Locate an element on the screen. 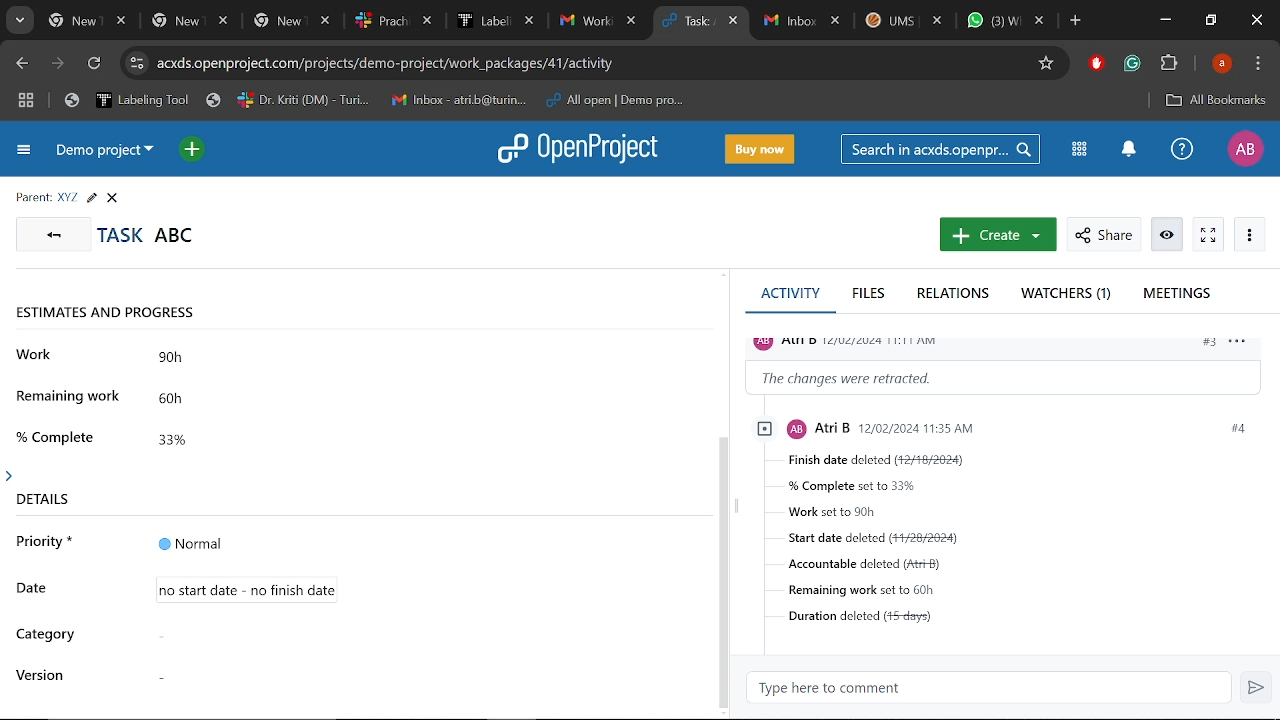 This screenshot has height=720, width=1280. 33% is located at coordinates (199, 437).